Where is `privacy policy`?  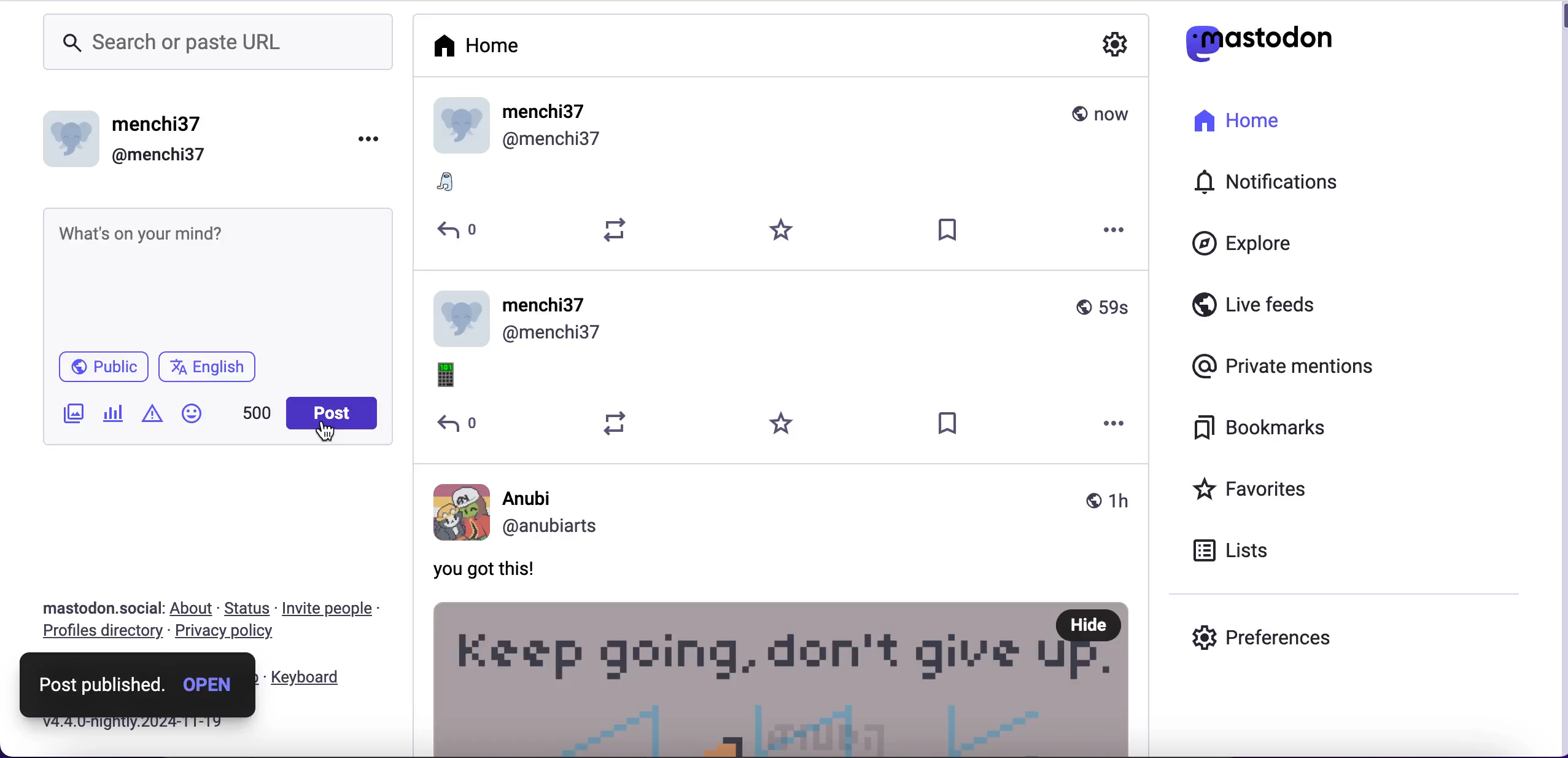 privacy policy is located at coordinates (230, 633).